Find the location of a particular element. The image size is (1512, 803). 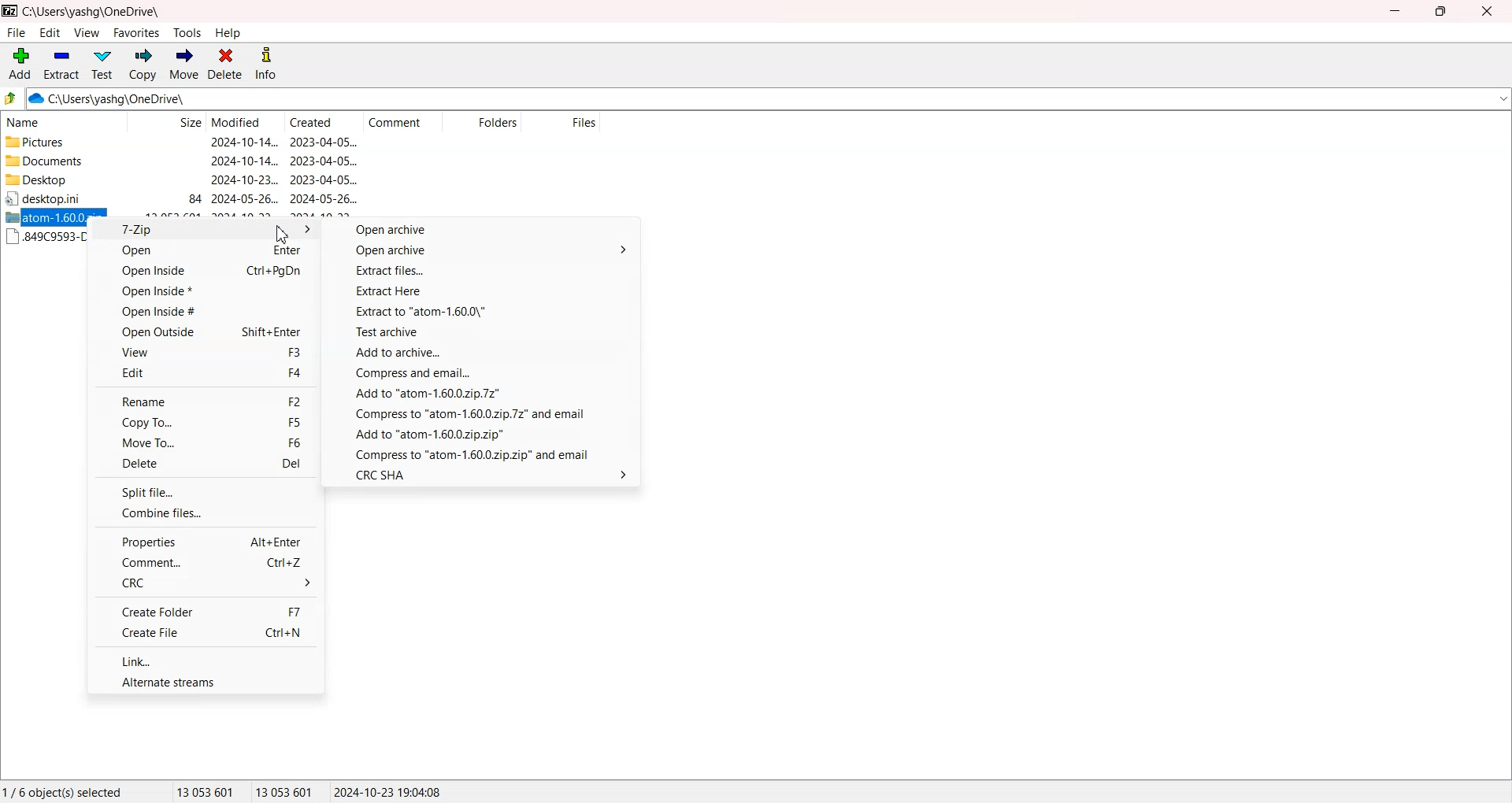

Open Inside# is located at coordinates (204, 310).